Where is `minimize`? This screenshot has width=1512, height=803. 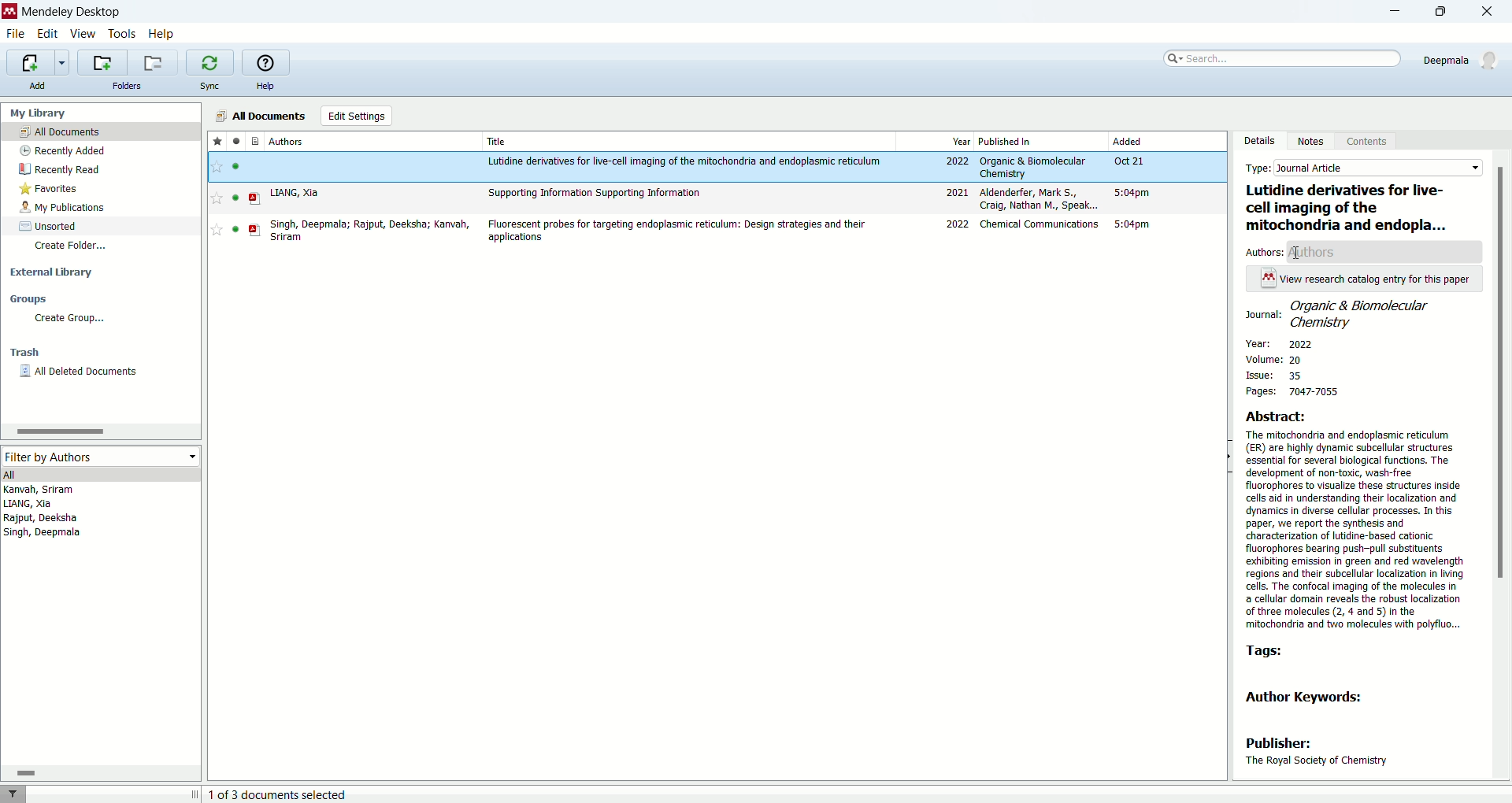 minimize is located at coordinates (1399, 10).